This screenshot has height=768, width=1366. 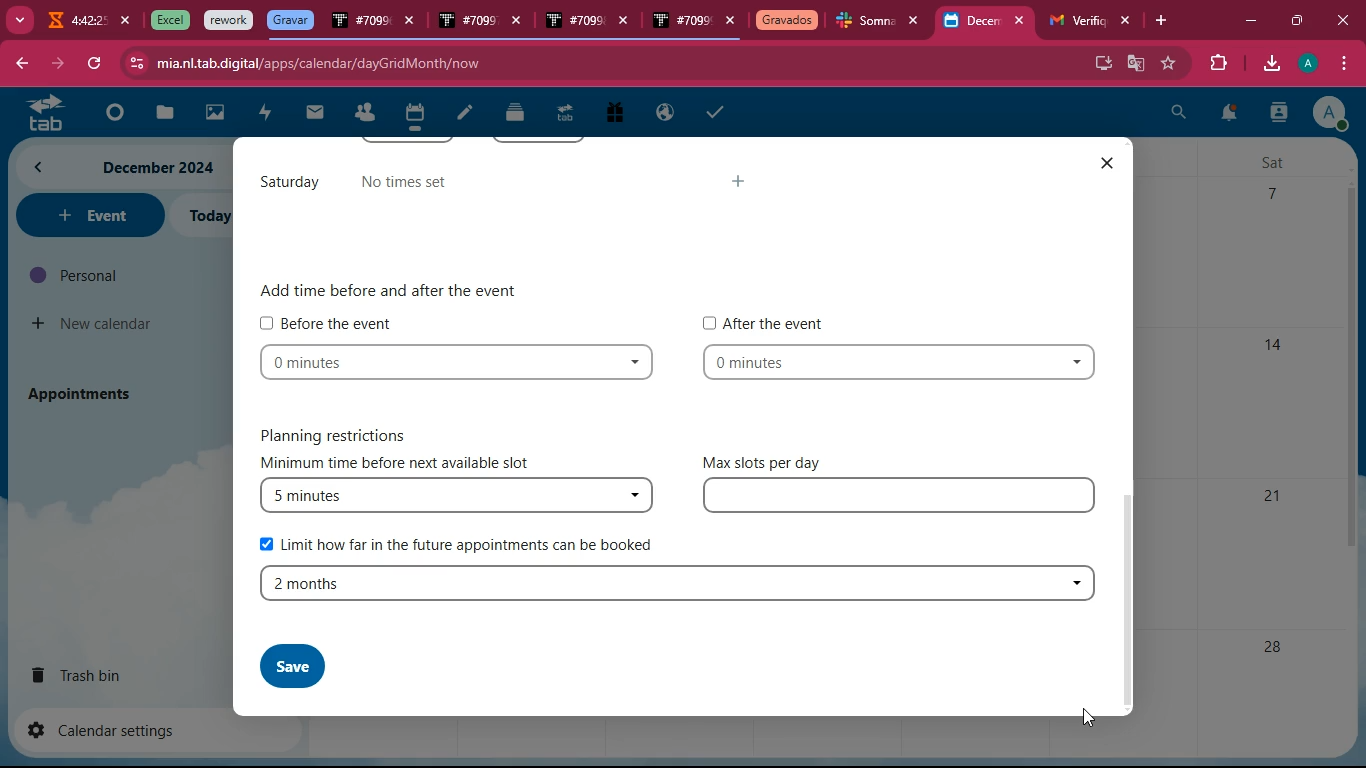 I want to click on close, so click(x=1347, y=20).